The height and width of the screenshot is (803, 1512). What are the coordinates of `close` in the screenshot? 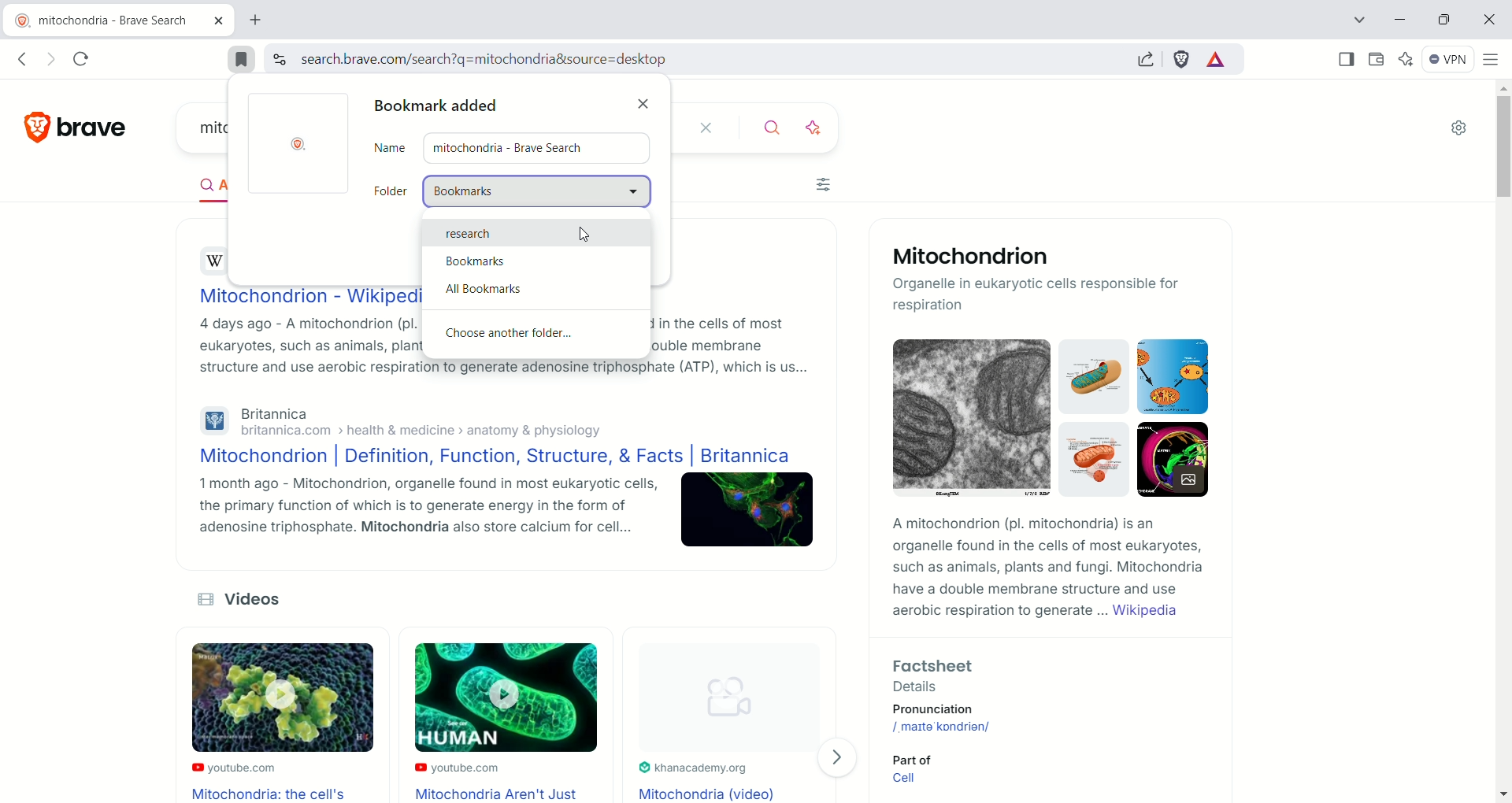 It's located at (703, 128).